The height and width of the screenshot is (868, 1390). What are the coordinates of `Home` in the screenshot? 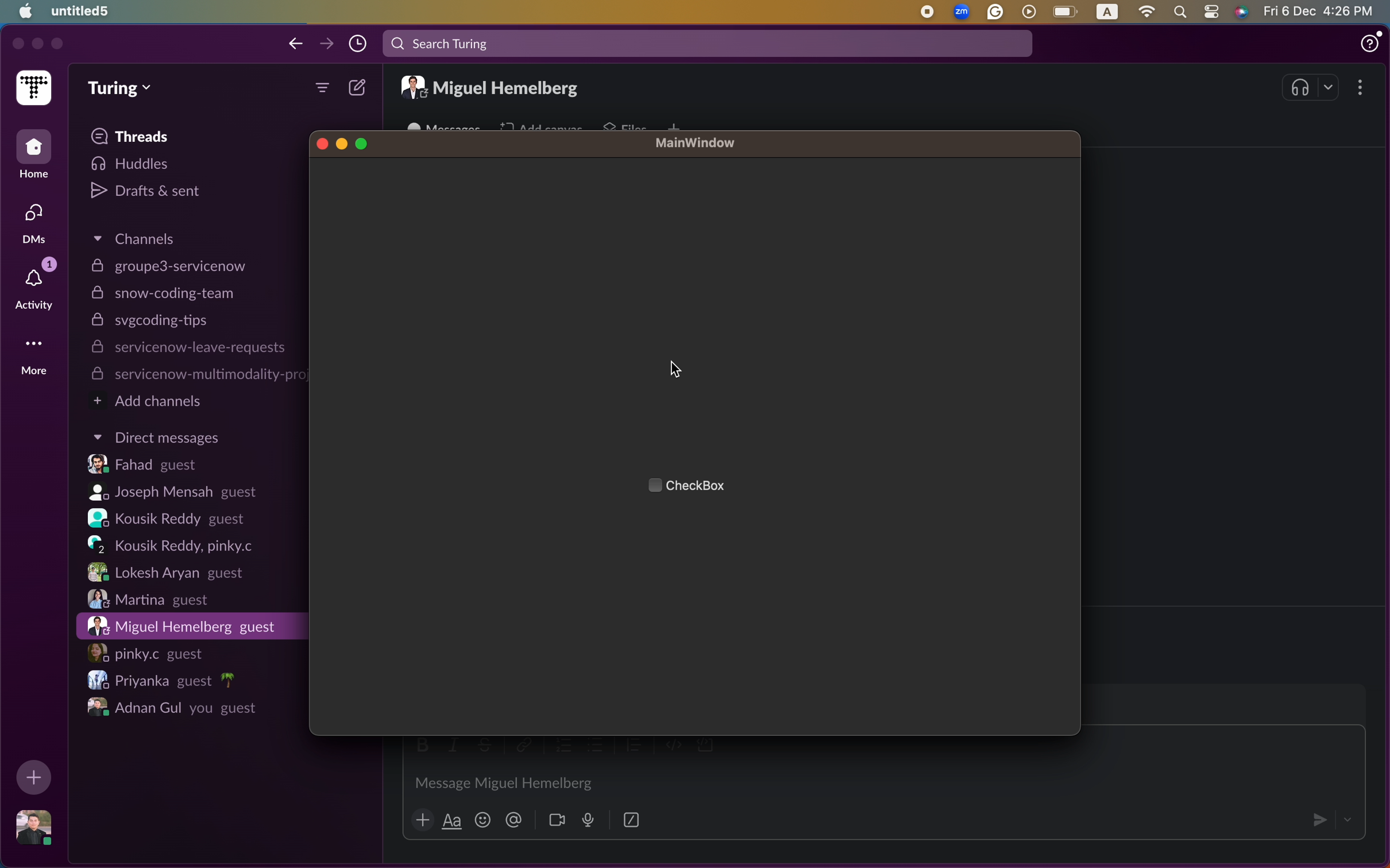 It's located at (34, 156).